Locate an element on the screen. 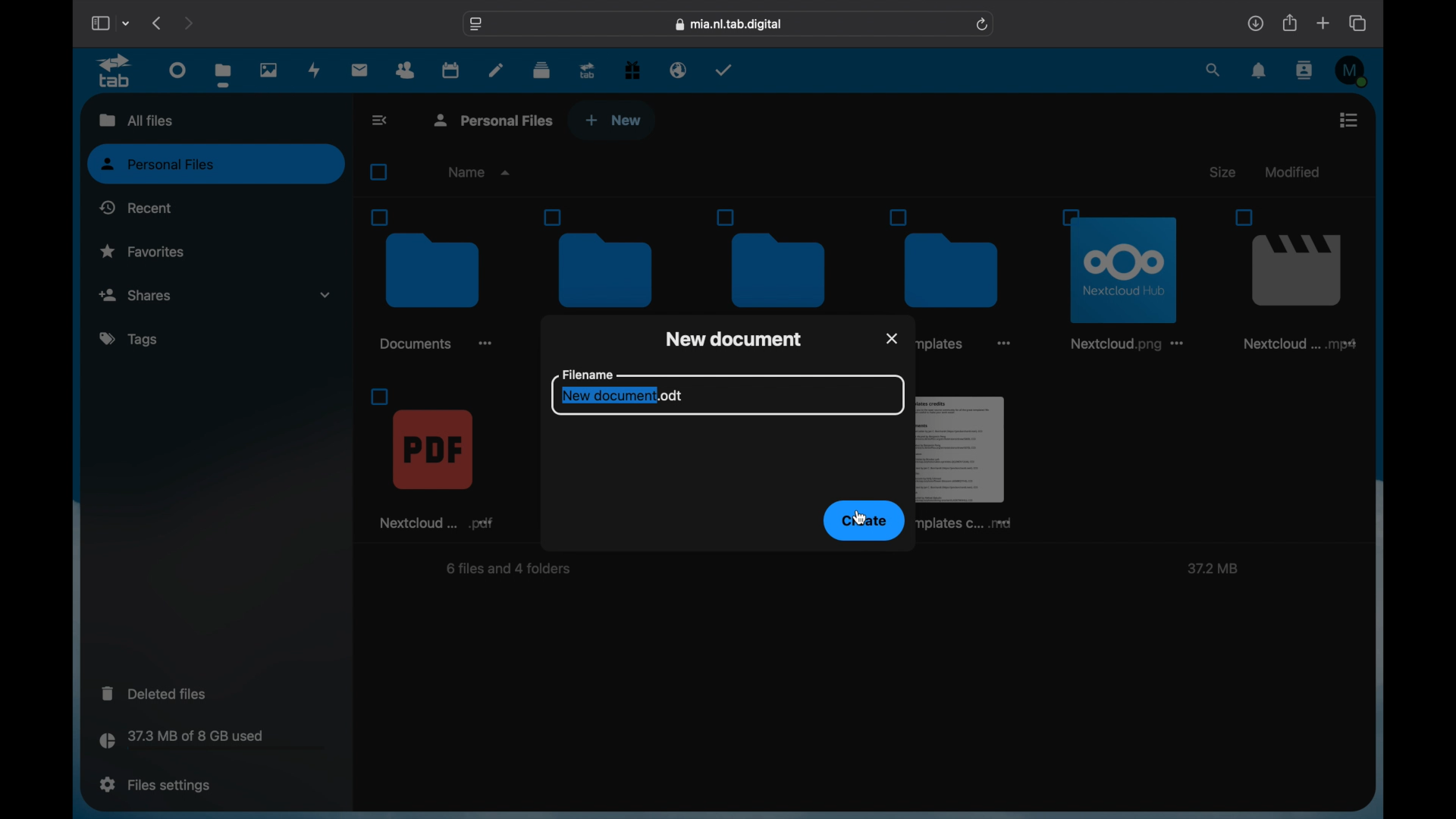 This screenshot has width=1456, height=819. deck is located at coordinates (541, 71).